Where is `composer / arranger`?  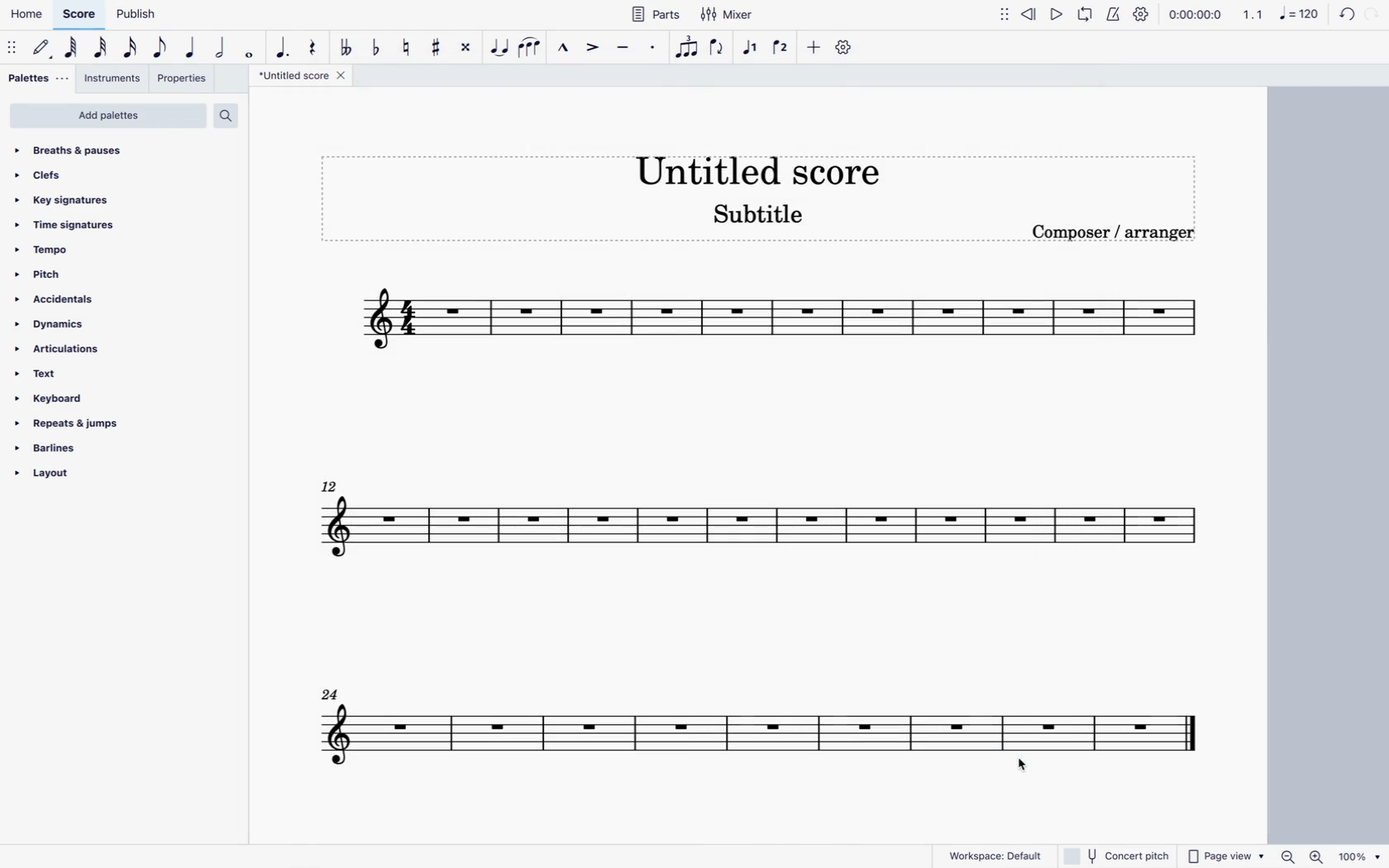
composer / arranger is located at coordinates (1110, 237).